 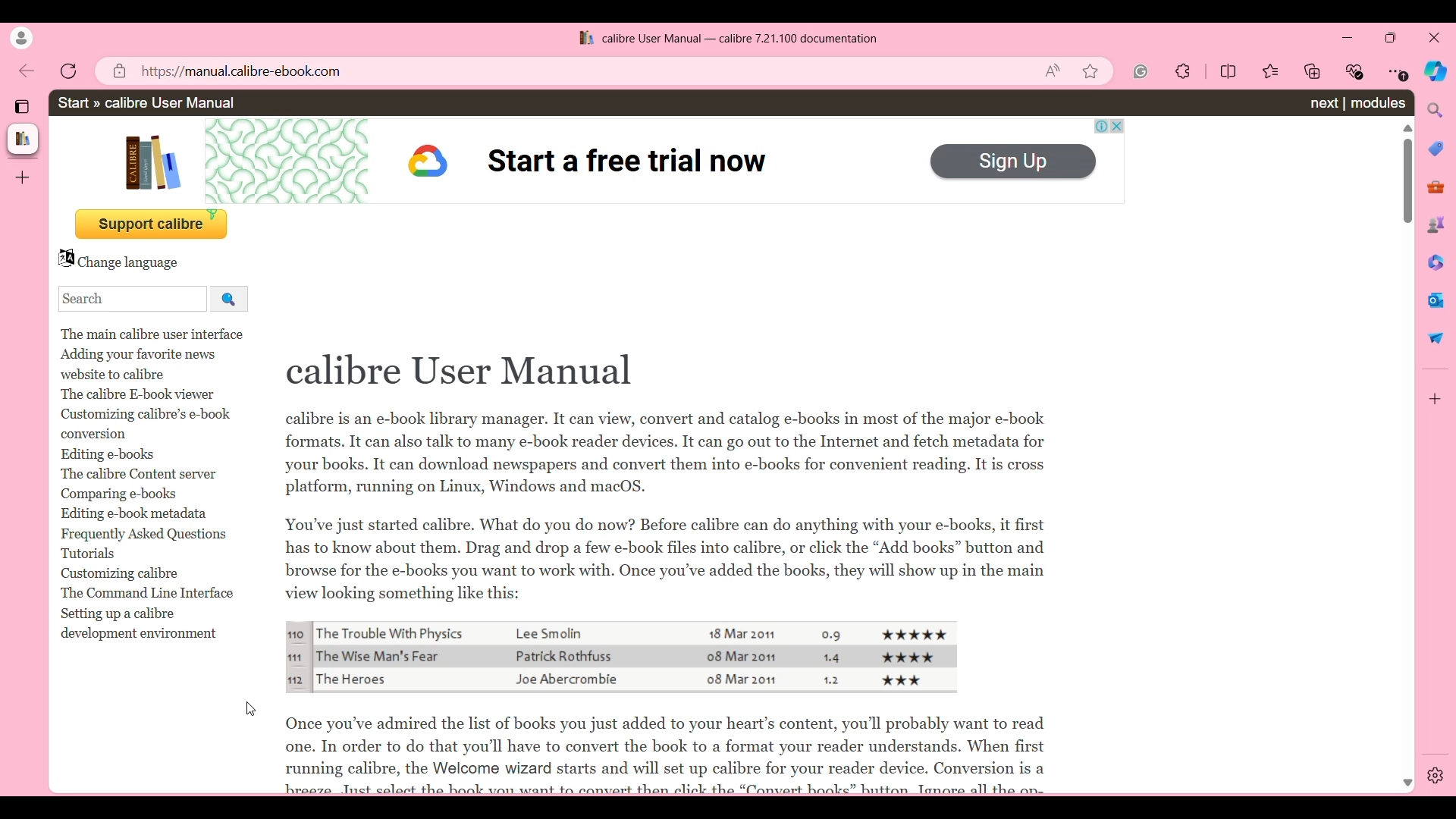 What do you see at coordinates (1436, 300) in the screenshot?
I see `Send messages ` at bounding box center [1436, 300].